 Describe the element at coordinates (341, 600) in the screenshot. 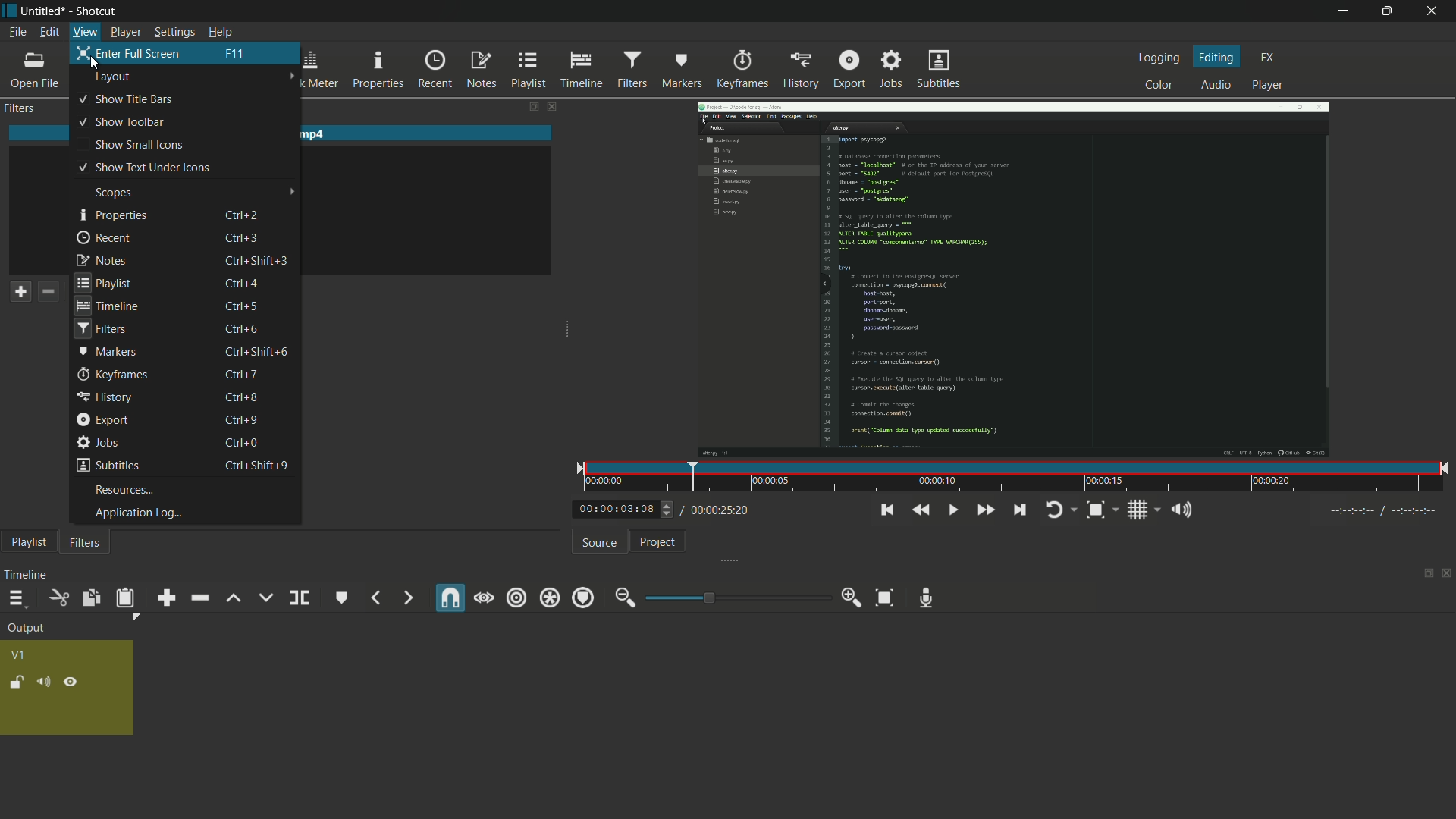

I see `create or edit maker` at that location.